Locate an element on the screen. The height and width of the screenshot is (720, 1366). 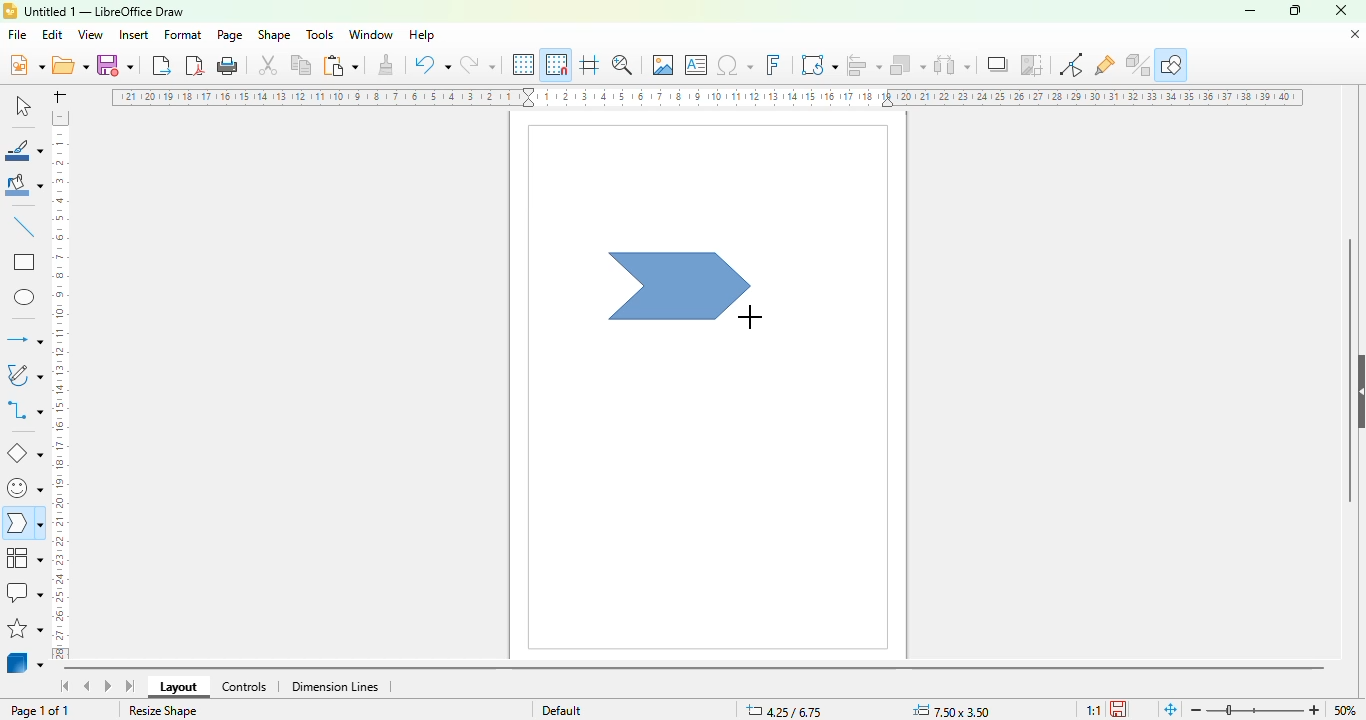
close is located at coordinates (1341, 10).